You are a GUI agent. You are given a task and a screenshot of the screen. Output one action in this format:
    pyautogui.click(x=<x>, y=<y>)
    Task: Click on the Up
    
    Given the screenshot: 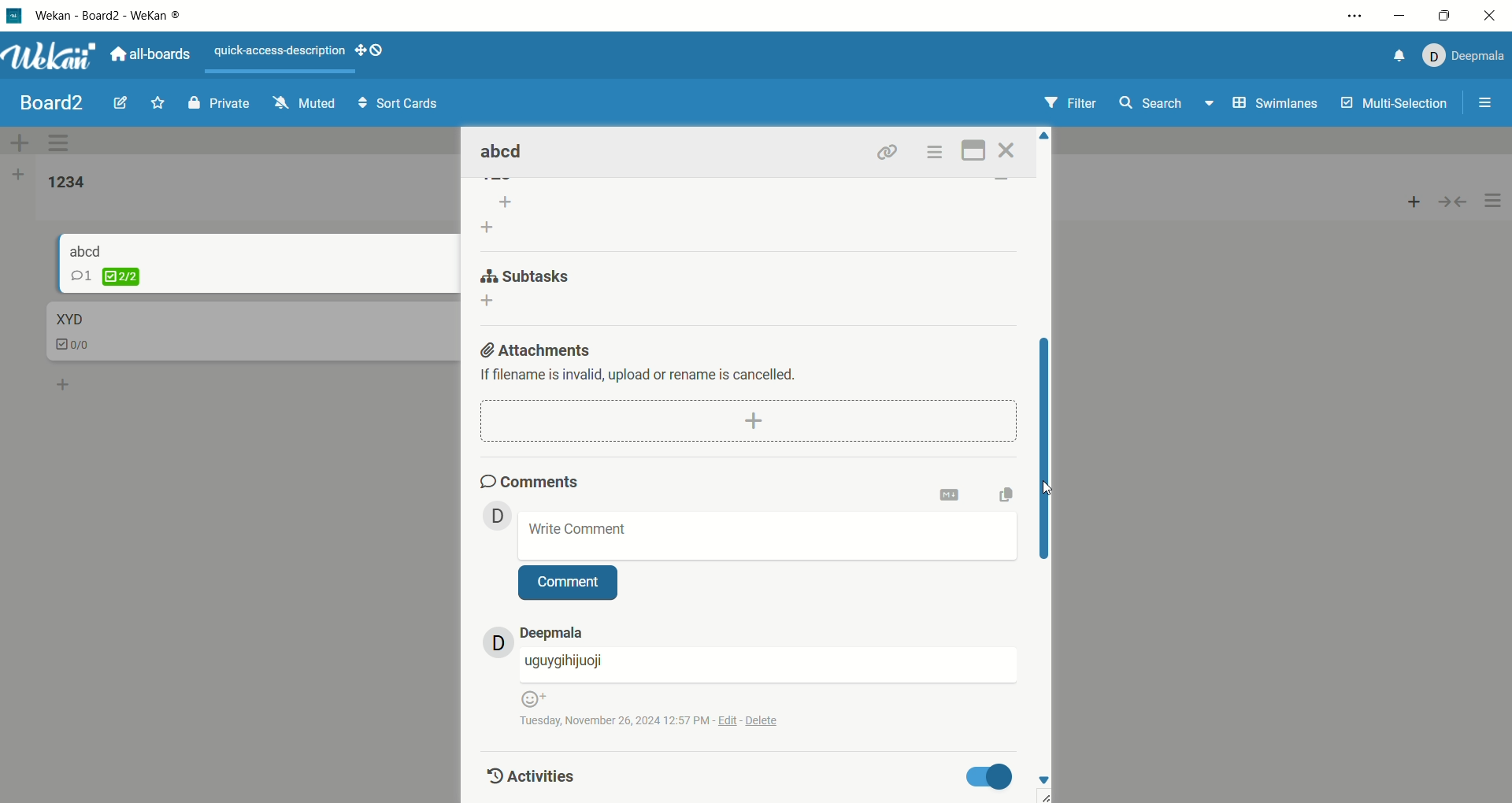 What is the action you would take?
    pyautogui.click(x=1045, y=139)
    